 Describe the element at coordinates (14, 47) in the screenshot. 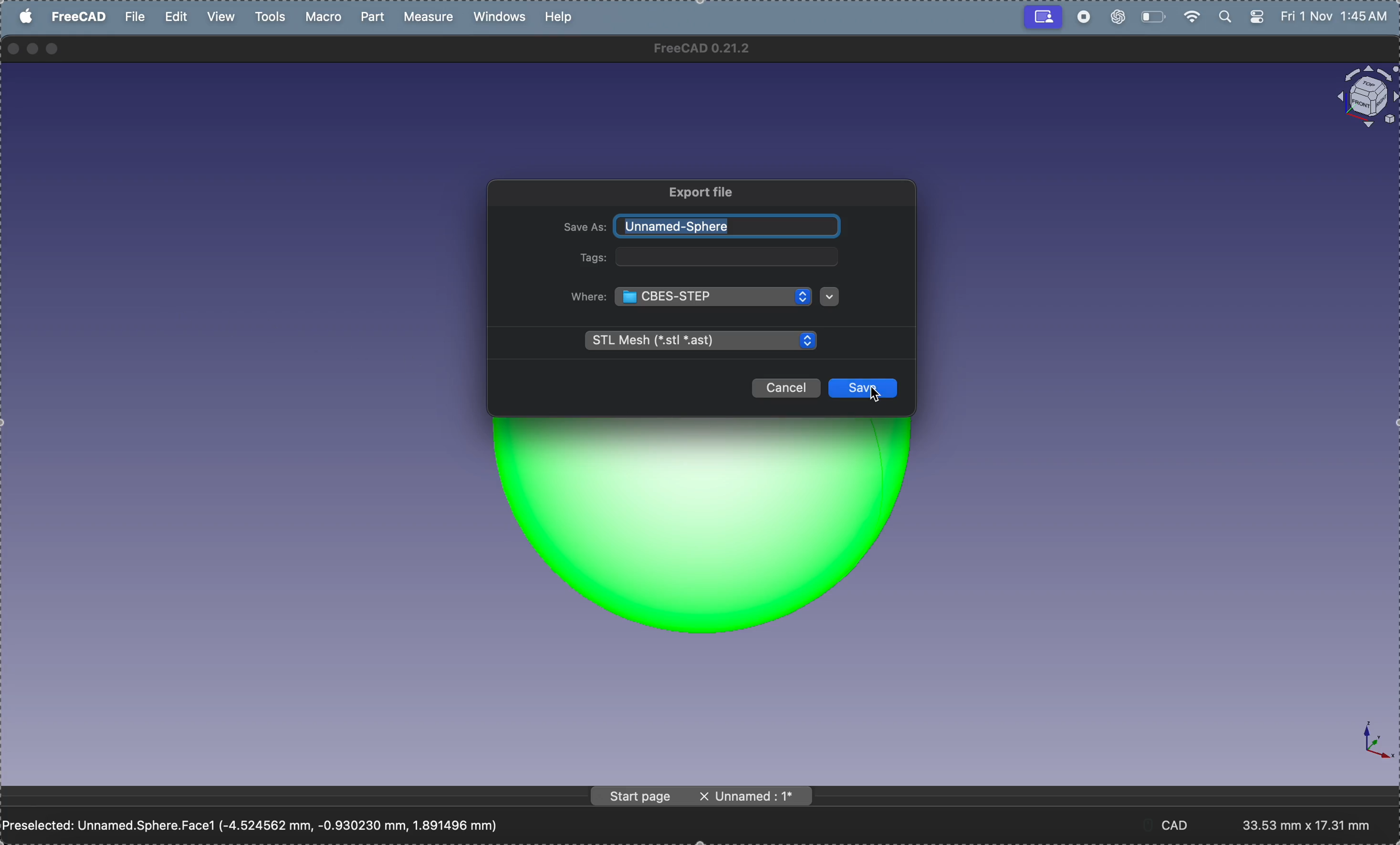

I see `closing window` at that location.